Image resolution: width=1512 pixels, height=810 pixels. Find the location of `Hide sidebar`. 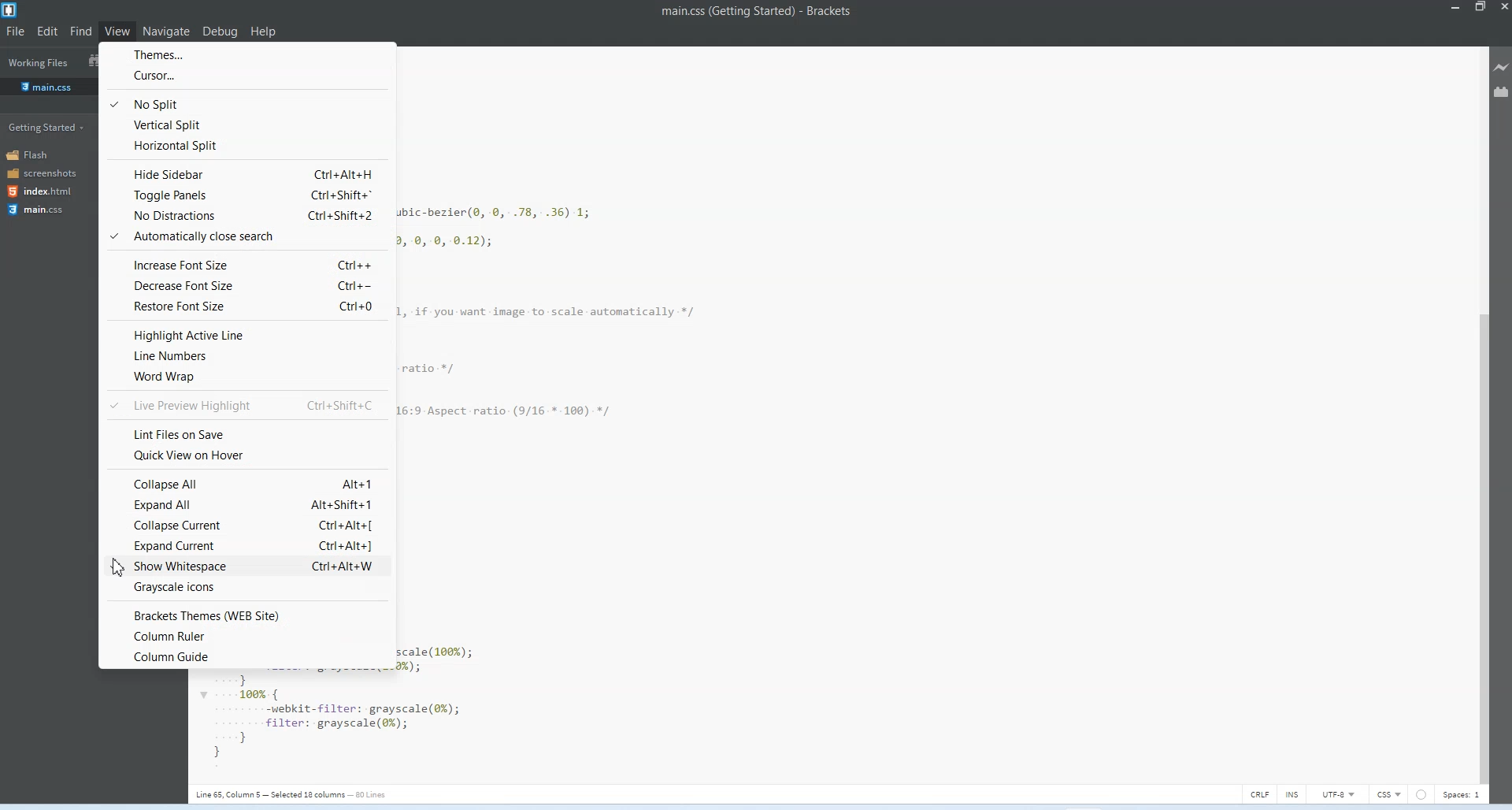

Hide sidebar is located at coordinates (246, 173).